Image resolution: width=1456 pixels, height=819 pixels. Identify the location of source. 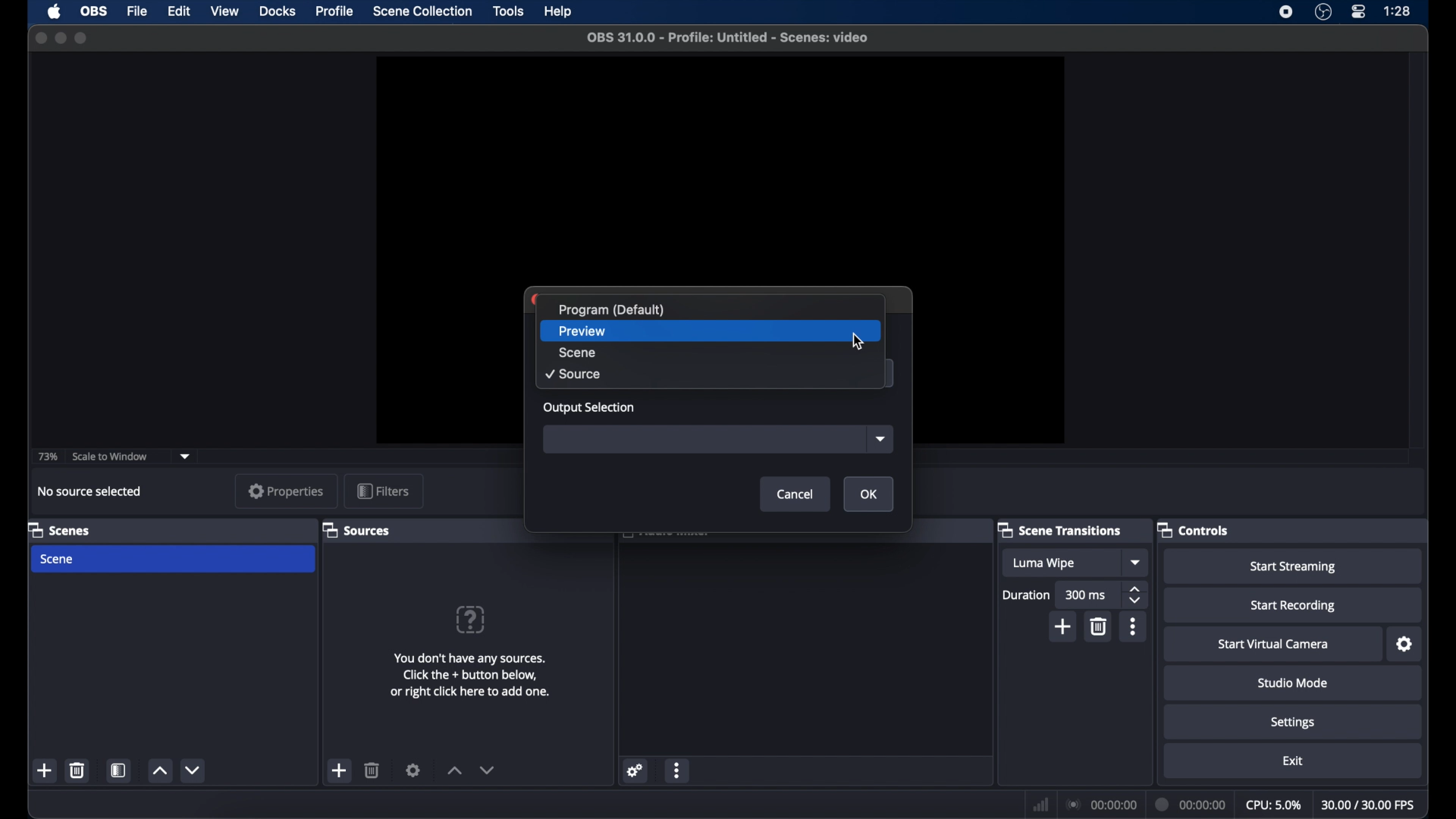
(710, 375).